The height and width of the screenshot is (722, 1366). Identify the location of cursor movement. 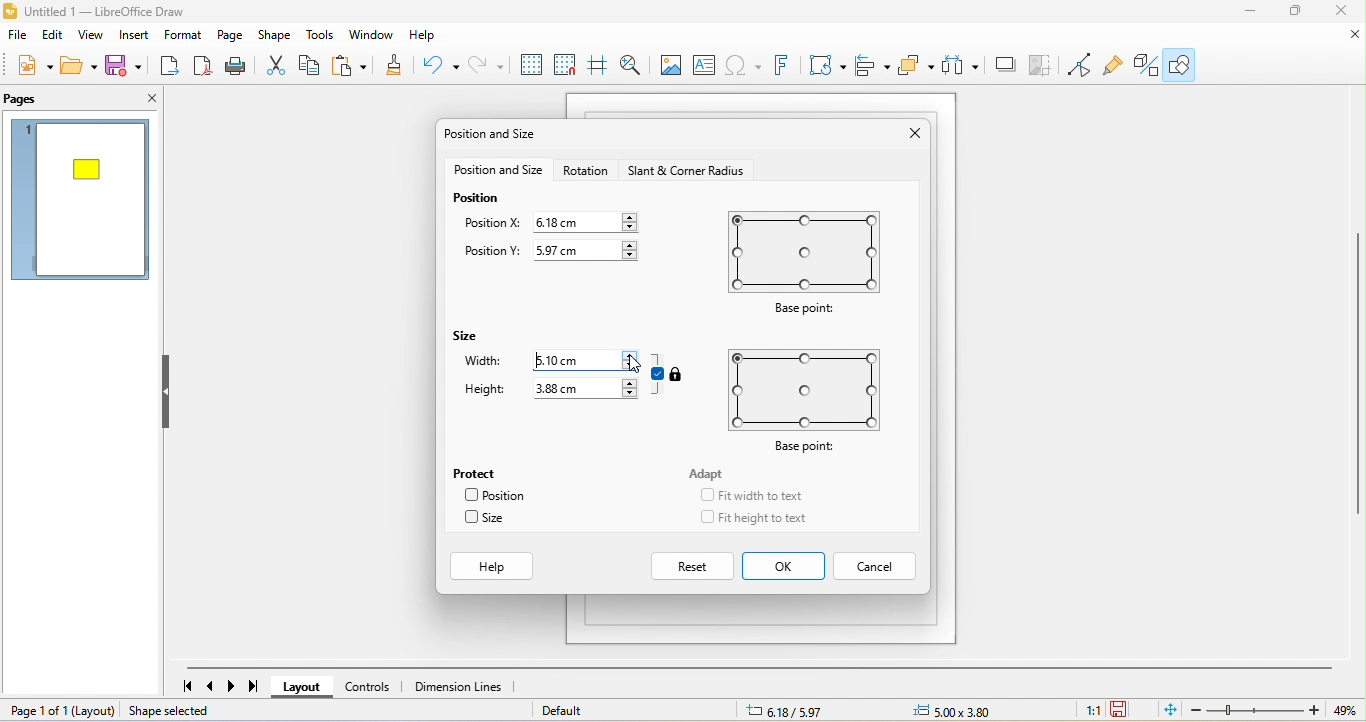
(635, 363).